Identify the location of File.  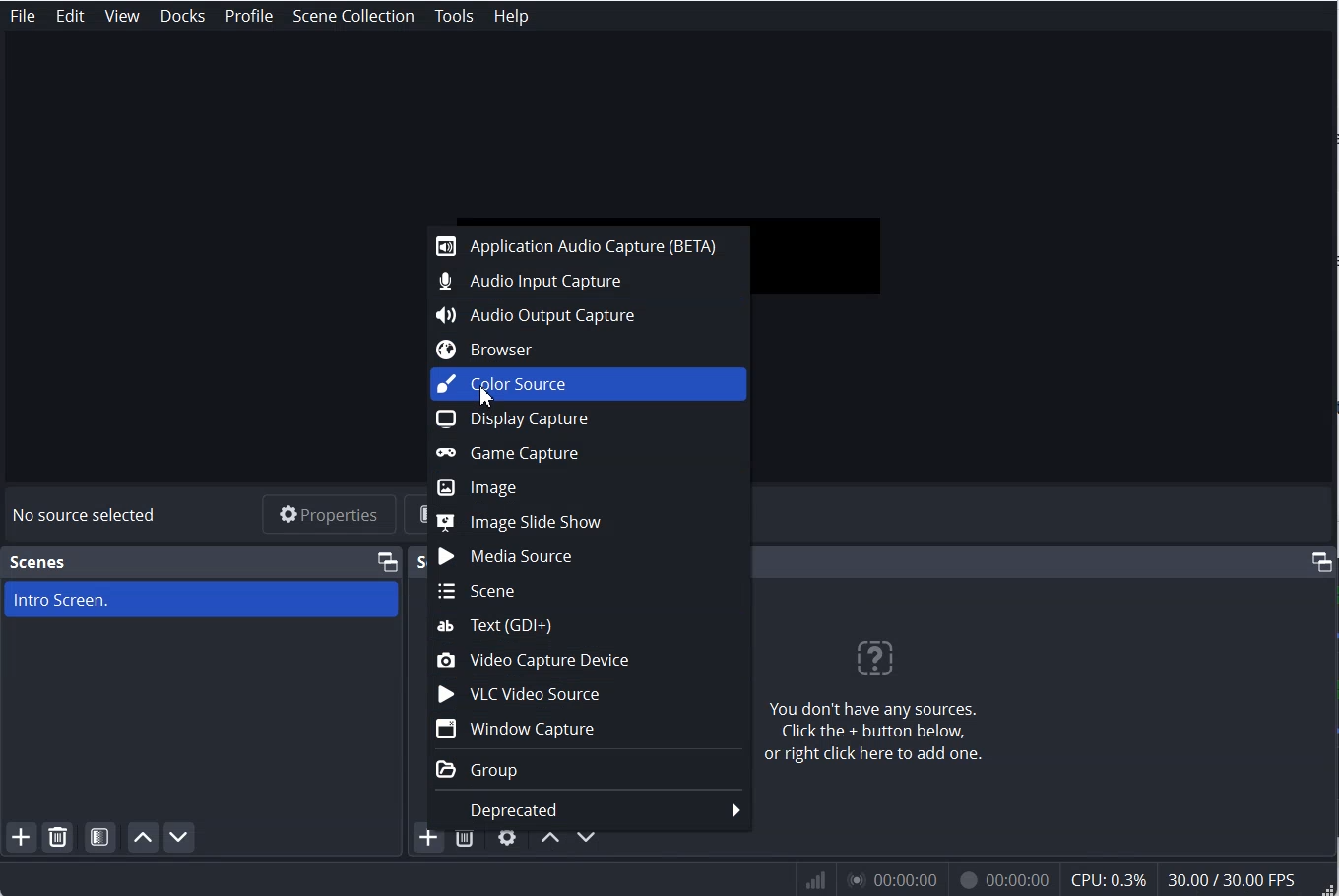
(22, 16).